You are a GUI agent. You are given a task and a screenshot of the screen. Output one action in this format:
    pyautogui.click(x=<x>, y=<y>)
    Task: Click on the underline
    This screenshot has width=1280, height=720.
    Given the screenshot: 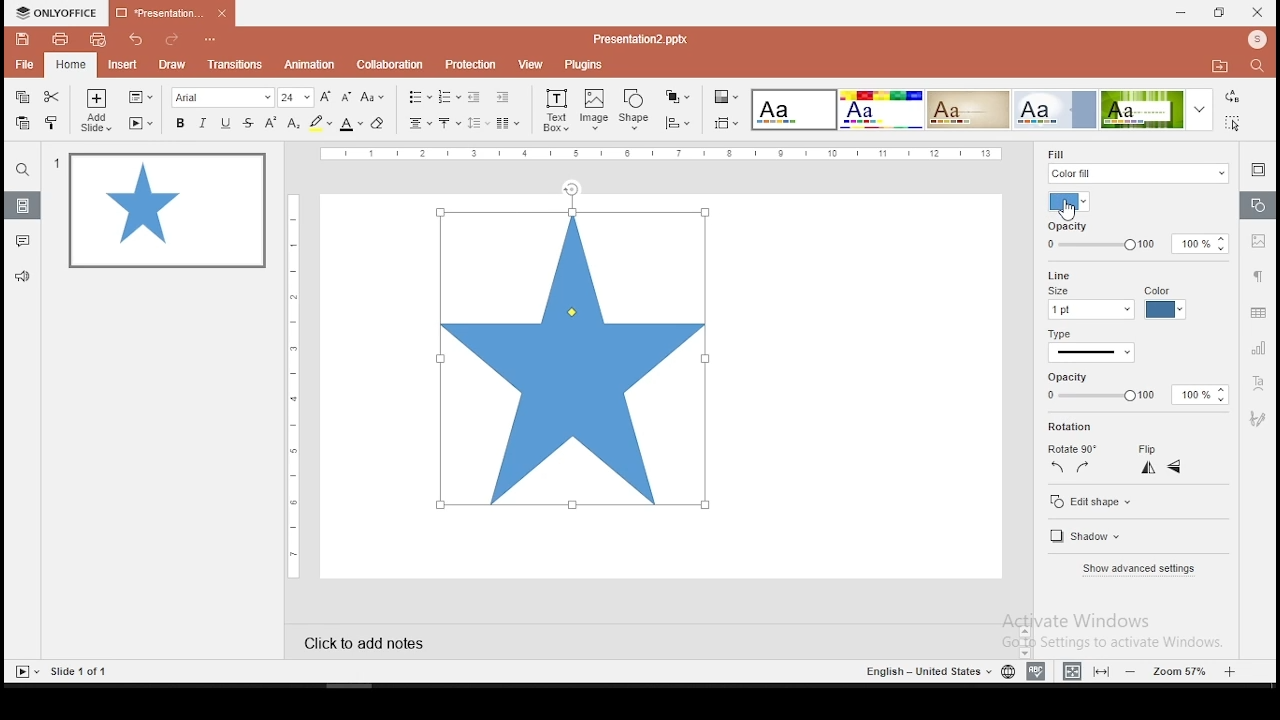 What is the action you would take?
    pyautogui.click(x=226, y=124)
    